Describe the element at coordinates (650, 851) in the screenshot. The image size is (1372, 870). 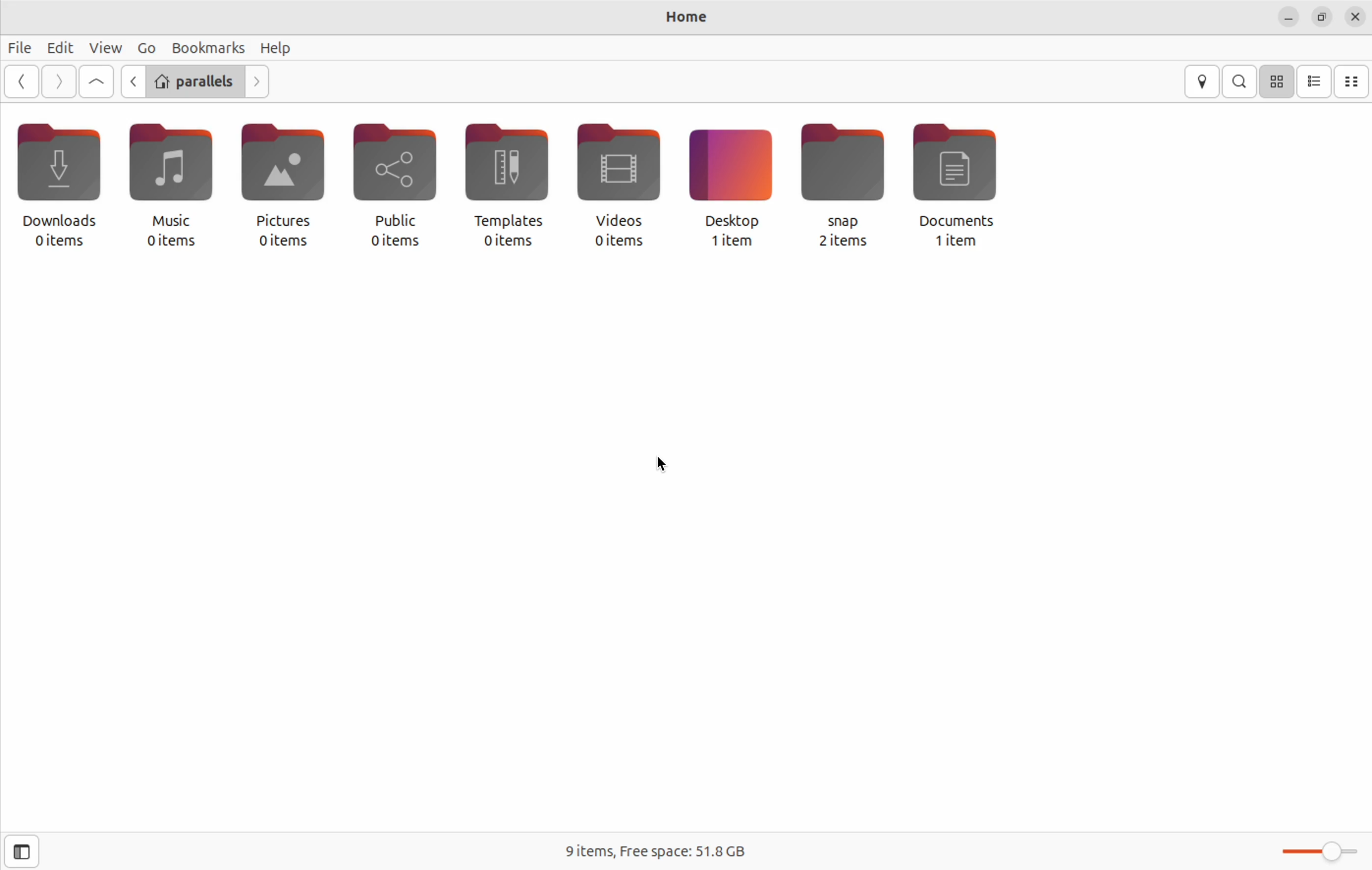
I see `9 items free space 51.8 Gb` at that location.